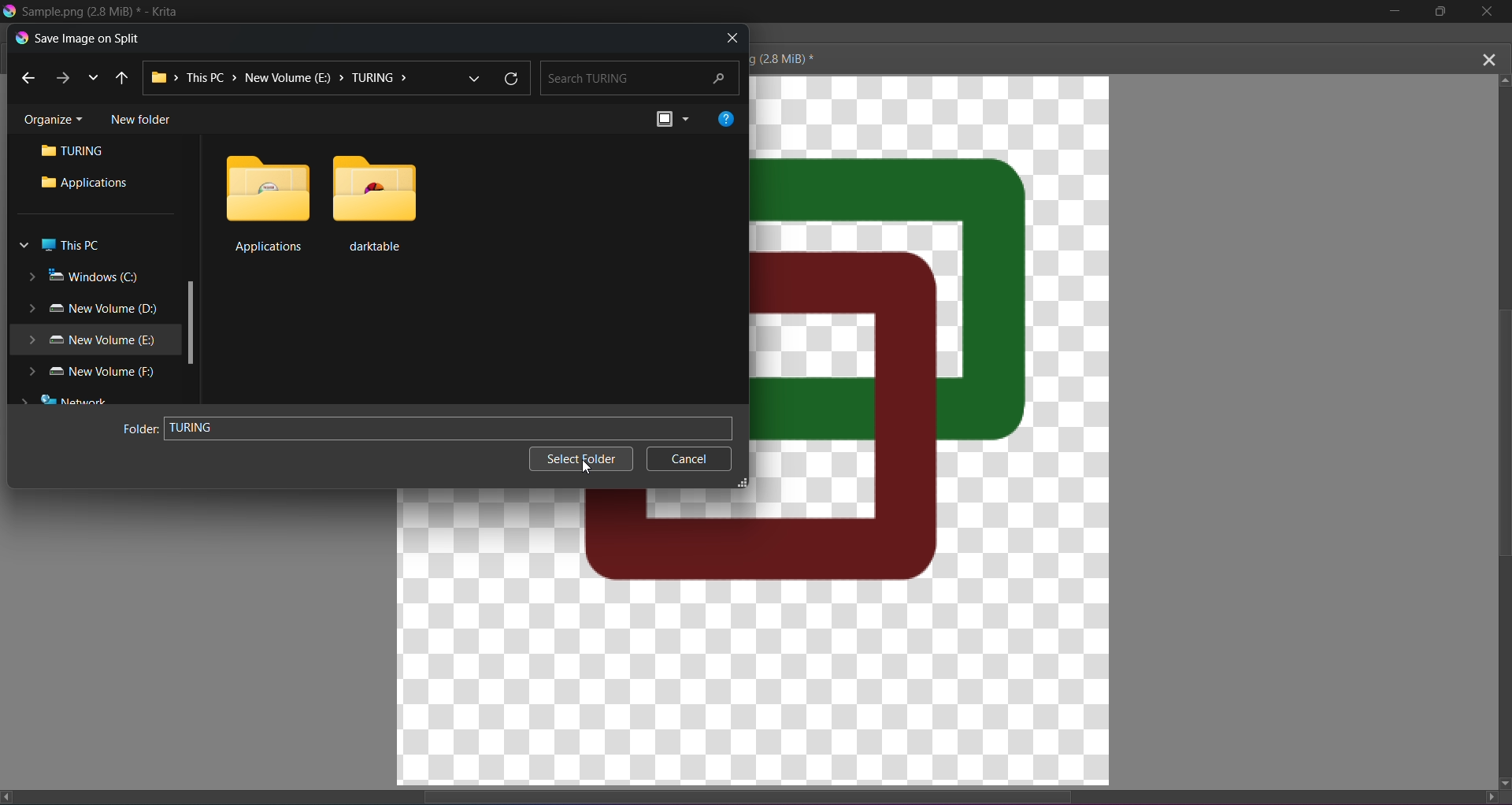  I want to click on Close, so click(732, 39).